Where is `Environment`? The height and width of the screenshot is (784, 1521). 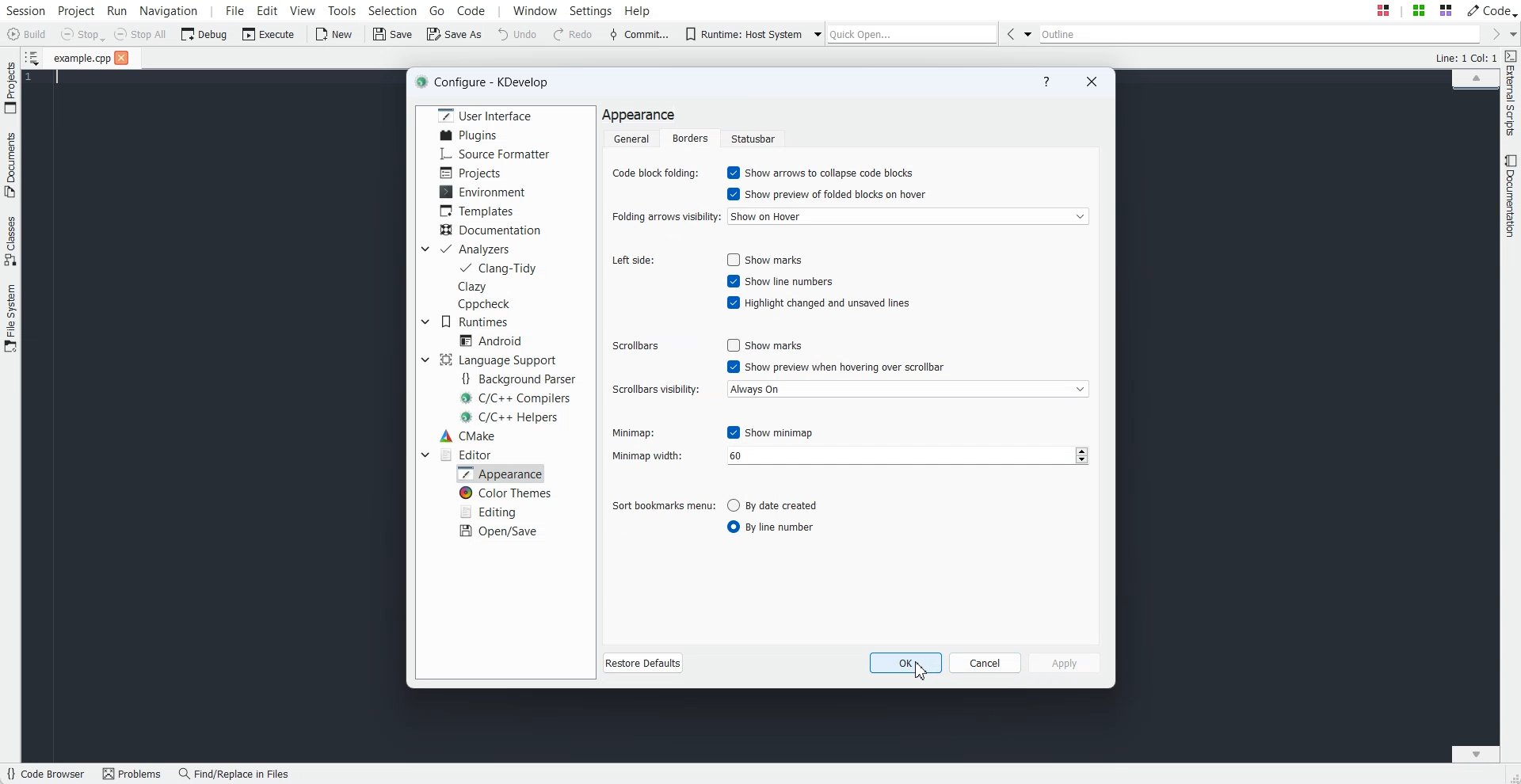
Environment is located at coordinates (481, 192).